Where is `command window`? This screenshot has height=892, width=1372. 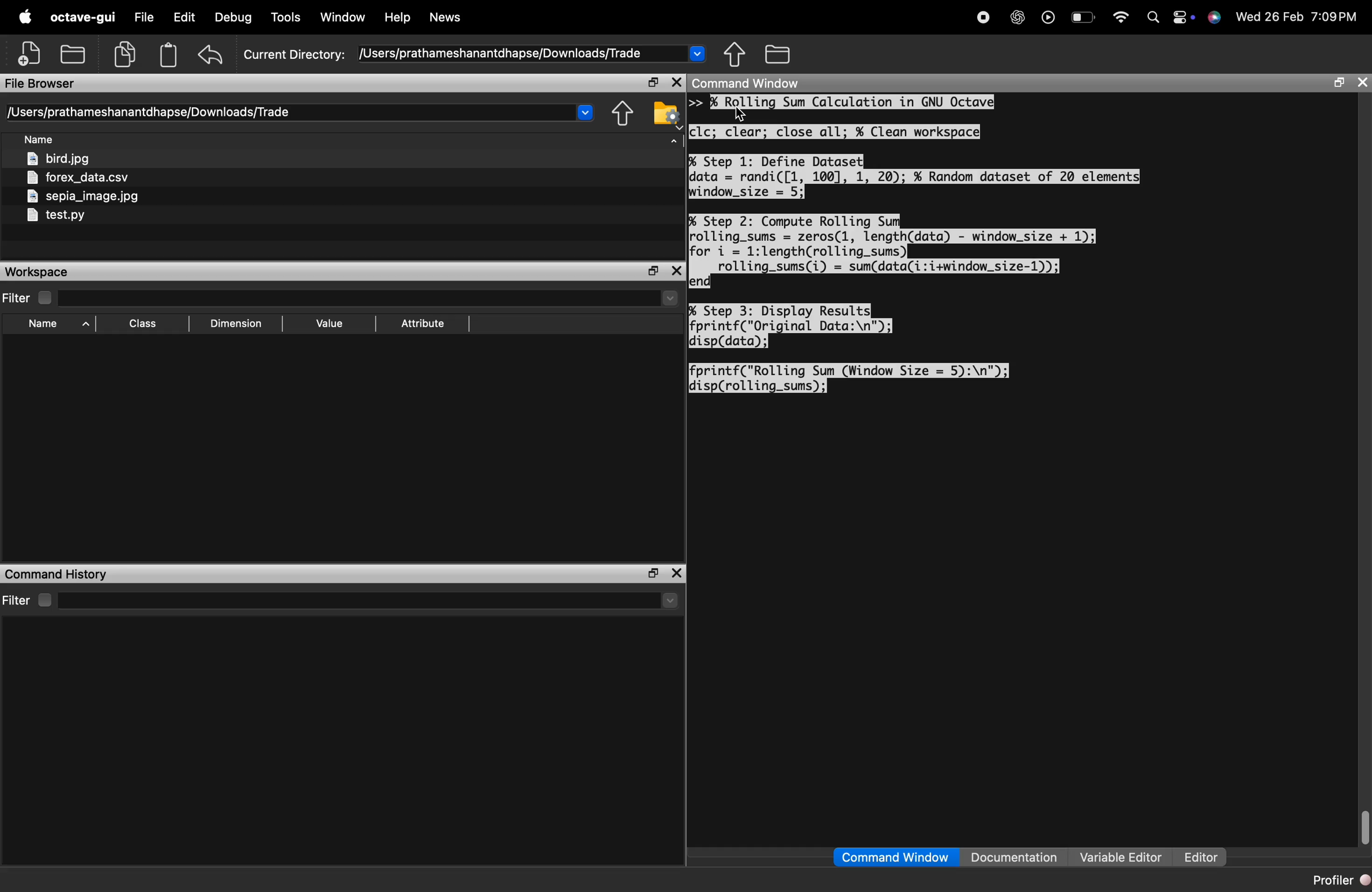
command window is located at coordinates (762, 84).